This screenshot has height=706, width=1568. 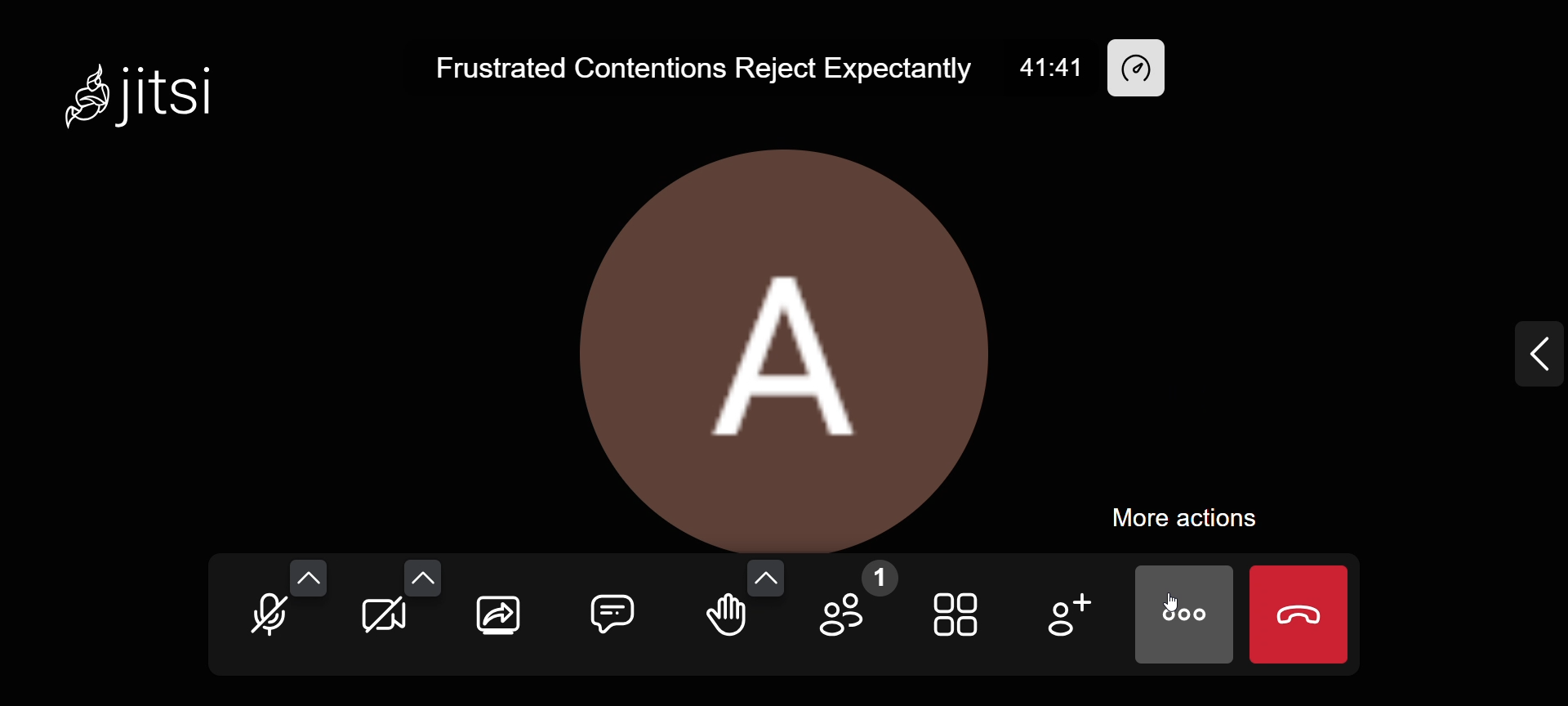 I want to click on display picture, so click(x=800, y=343).